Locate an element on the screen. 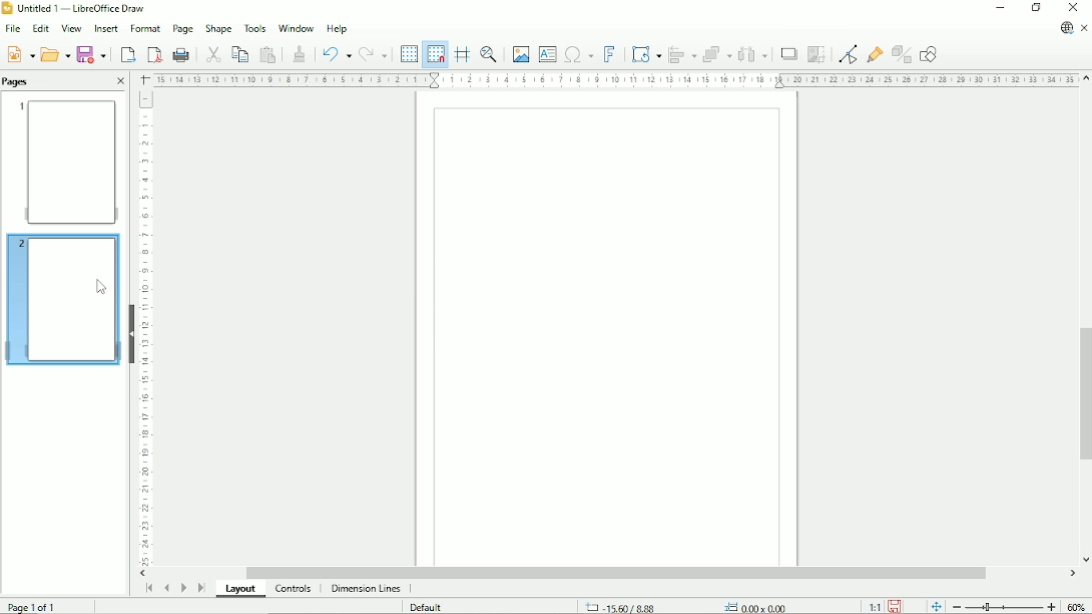 Image resolution: width=1092 pixels, height=614 pixels. Vertical scrollbar is located at coordinates (1082, 395).